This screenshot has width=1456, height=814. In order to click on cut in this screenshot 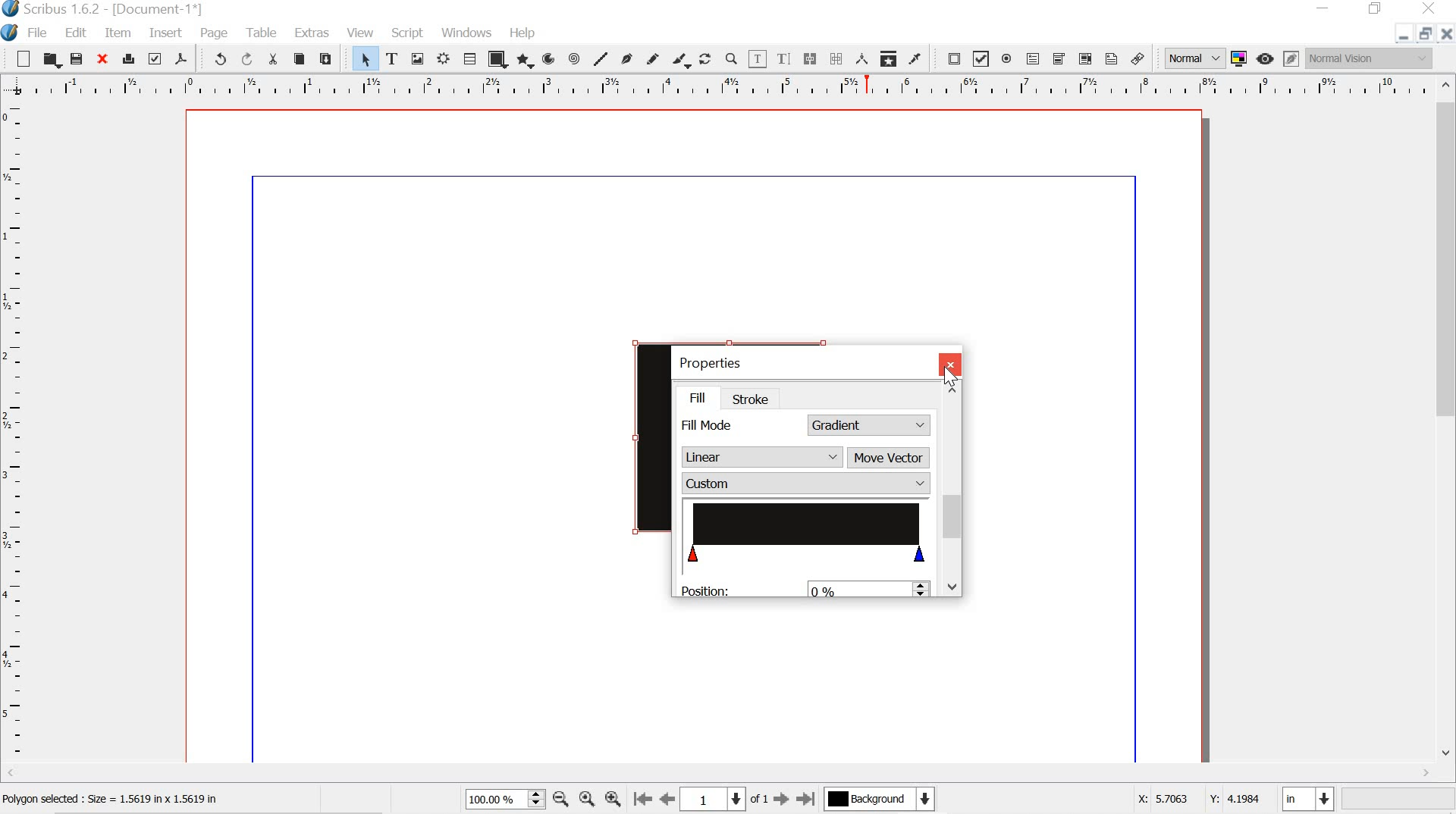, I will do `click(275, 59)`.